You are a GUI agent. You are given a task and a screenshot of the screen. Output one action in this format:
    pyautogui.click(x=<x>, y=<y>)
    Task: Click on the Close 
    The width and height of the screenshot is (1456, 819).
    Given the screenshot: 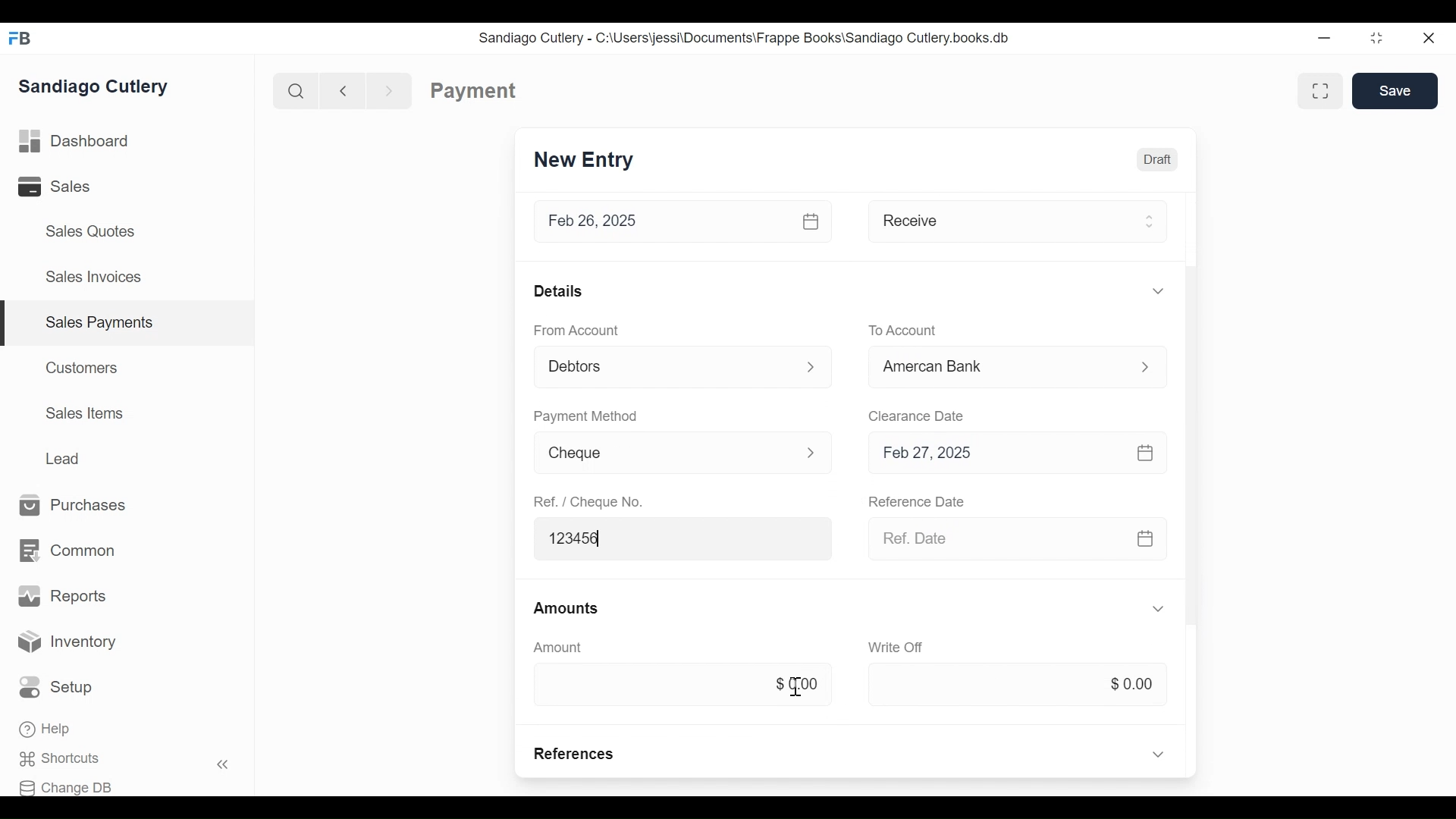 What is the action you would take?
    pyautogui.click(x=1430, y=38)
    